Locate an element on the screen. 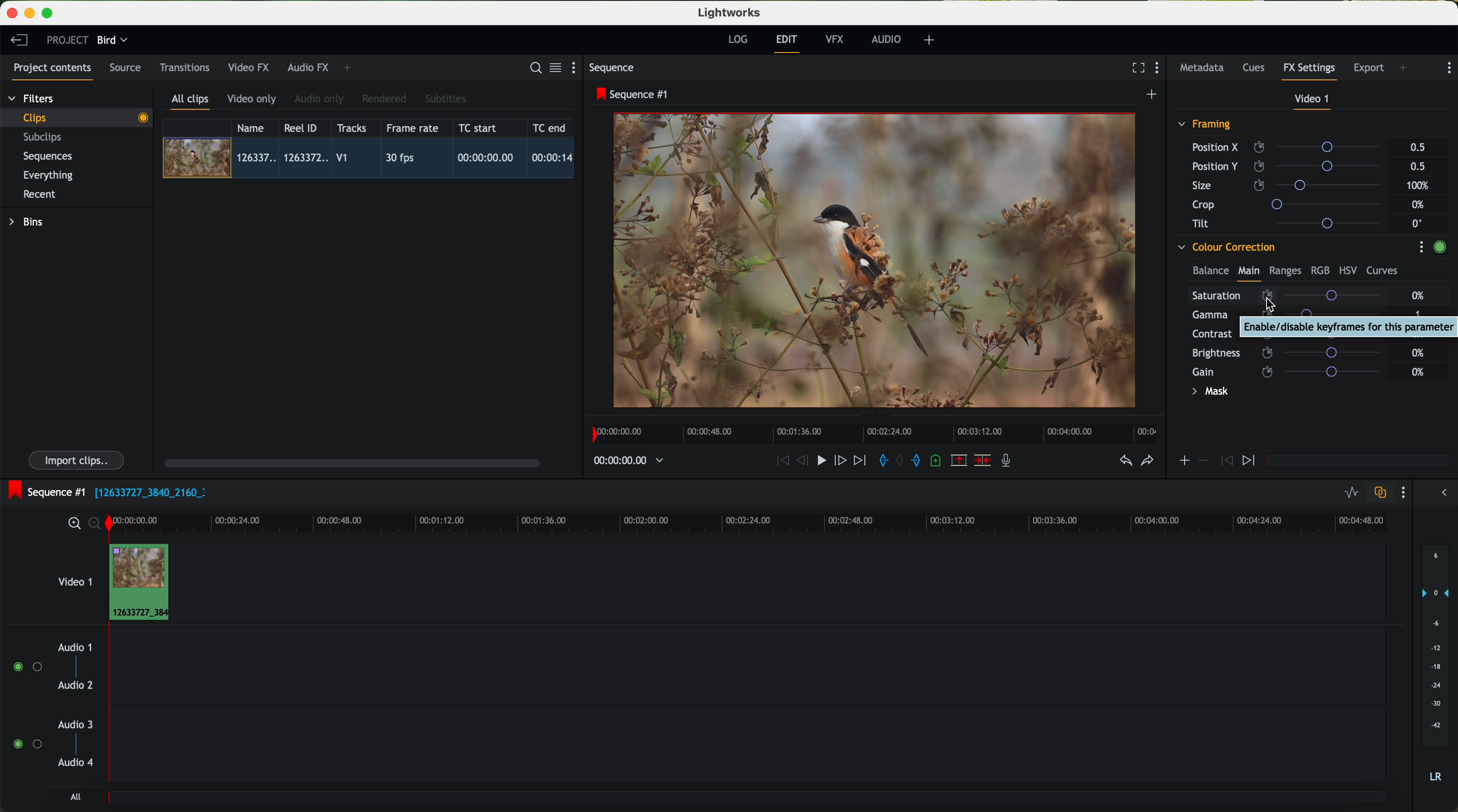  click on video is located at coordinates (372, 160).